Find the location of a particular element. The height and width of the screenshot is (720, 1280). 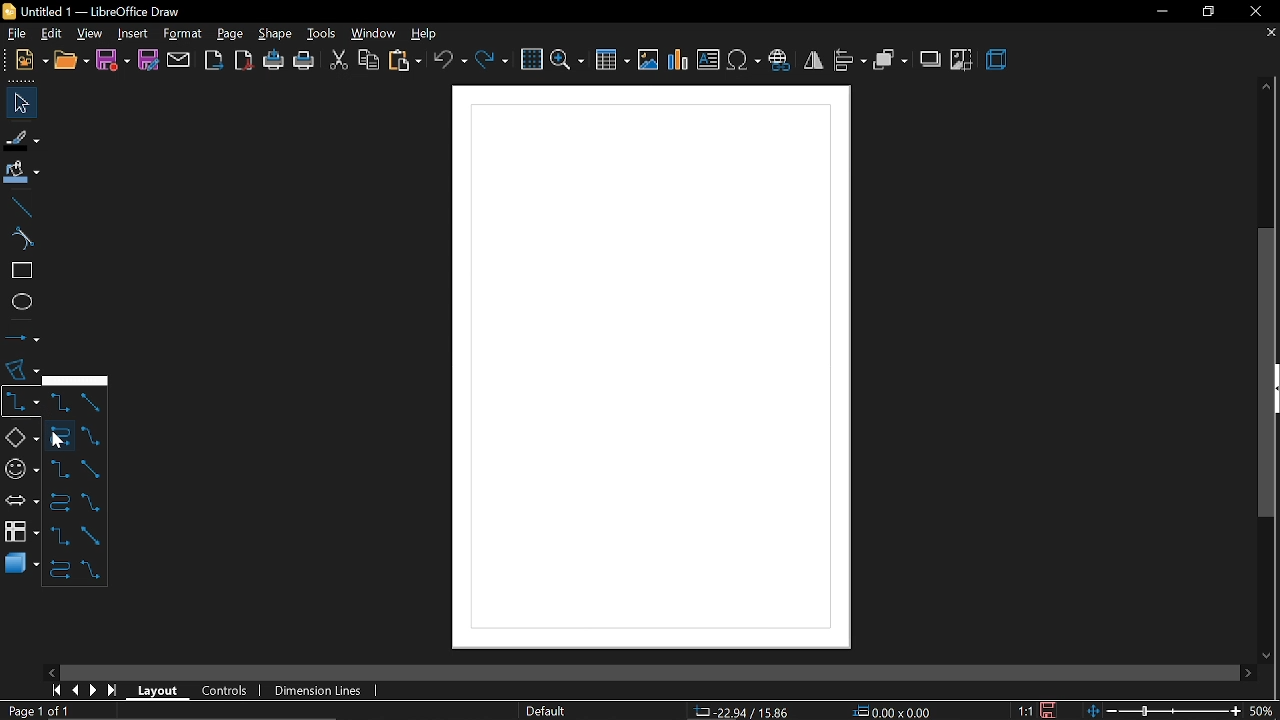

move up is located at coordinates (1267, 88).